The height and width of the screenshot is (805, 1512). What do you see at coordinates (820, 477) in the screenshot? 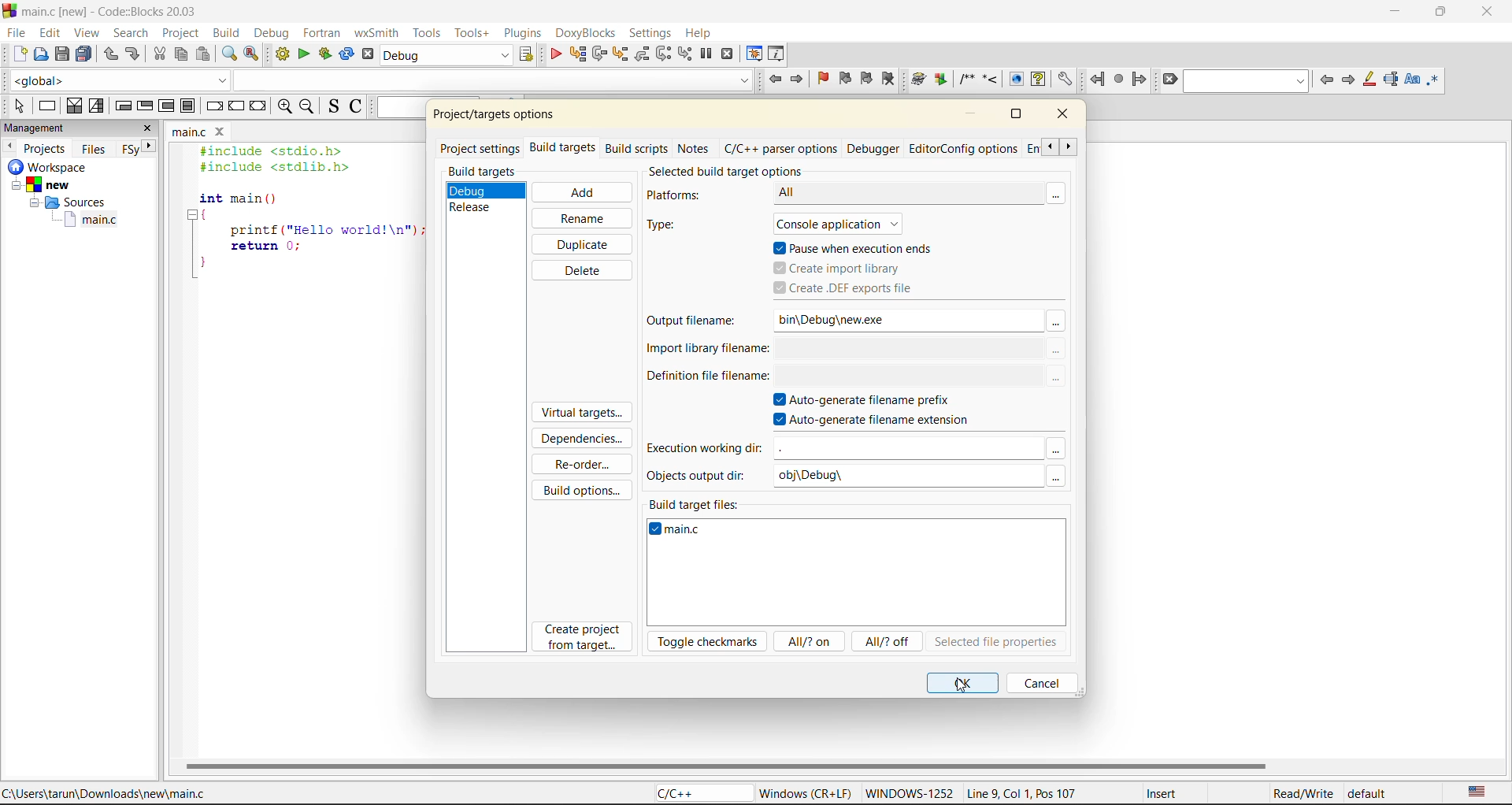
I see `obj\Debug\` at bounding box center [820, 477].